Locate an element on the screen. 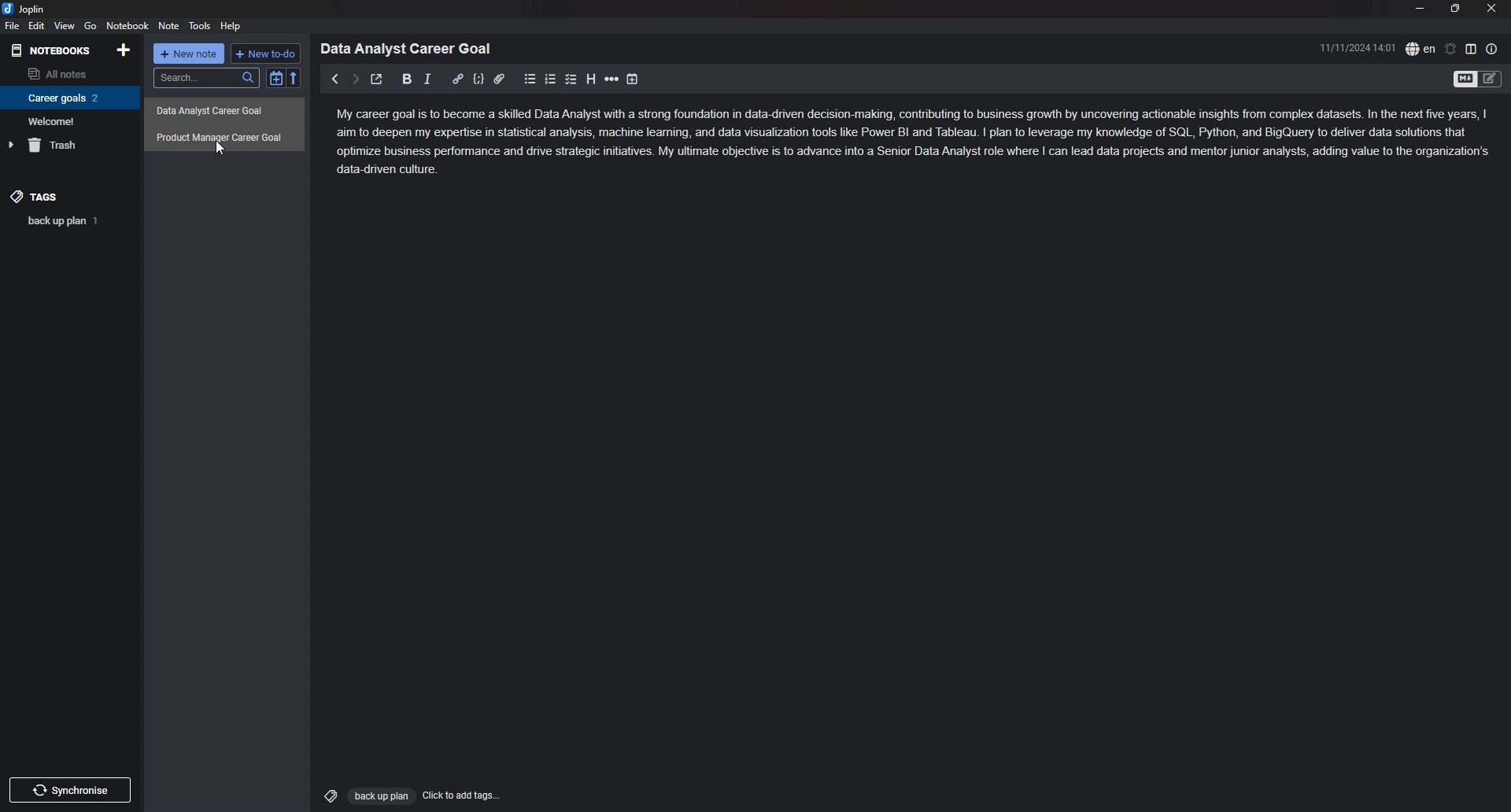 This screenshot has width=1511, height=812. close is located at coordinates (1491, 8).